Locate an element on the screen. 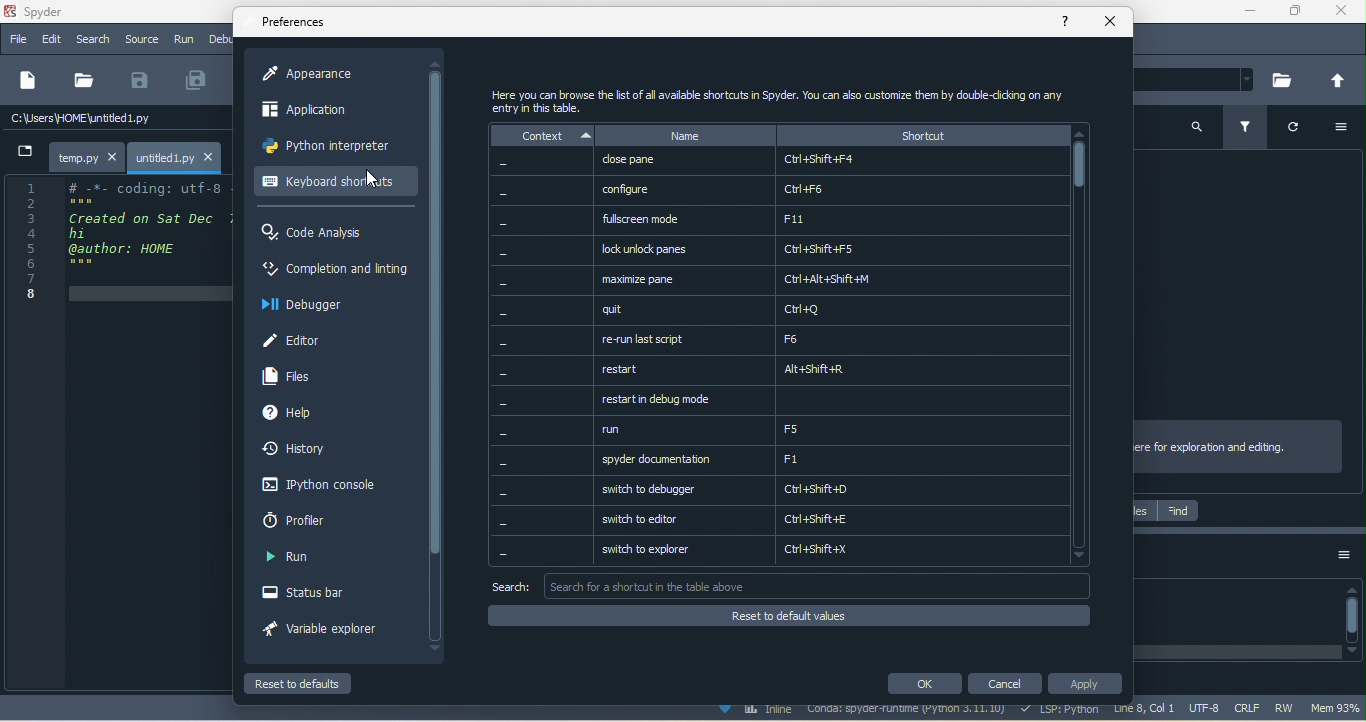  fullscreen mode is located at coordinates (831, 220).